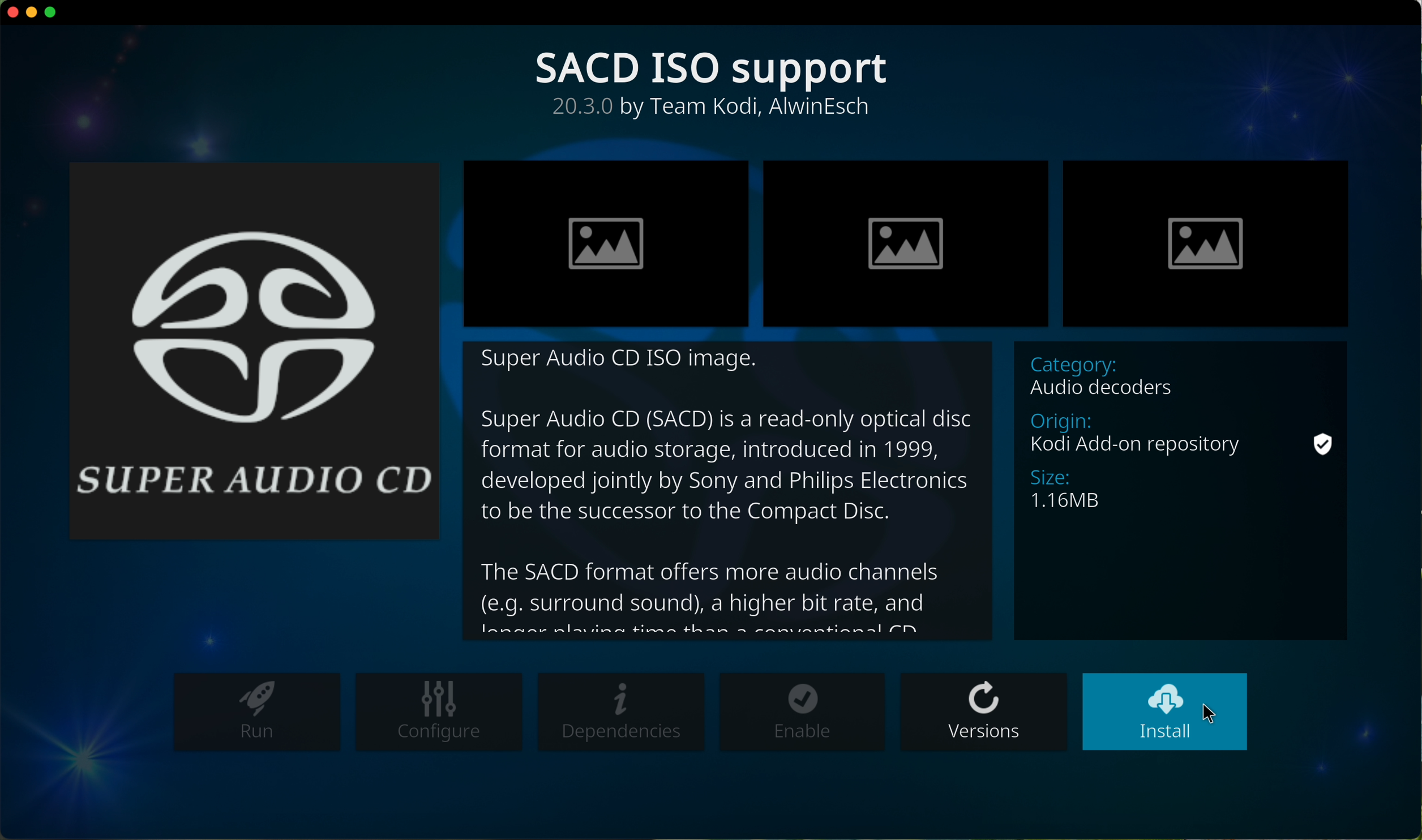 The height and width of the screenshot is (840, 1422). What do you see at coordinates (623, 713) in the screenshot?
I see `dependencies` at bounding box center [623, 713].